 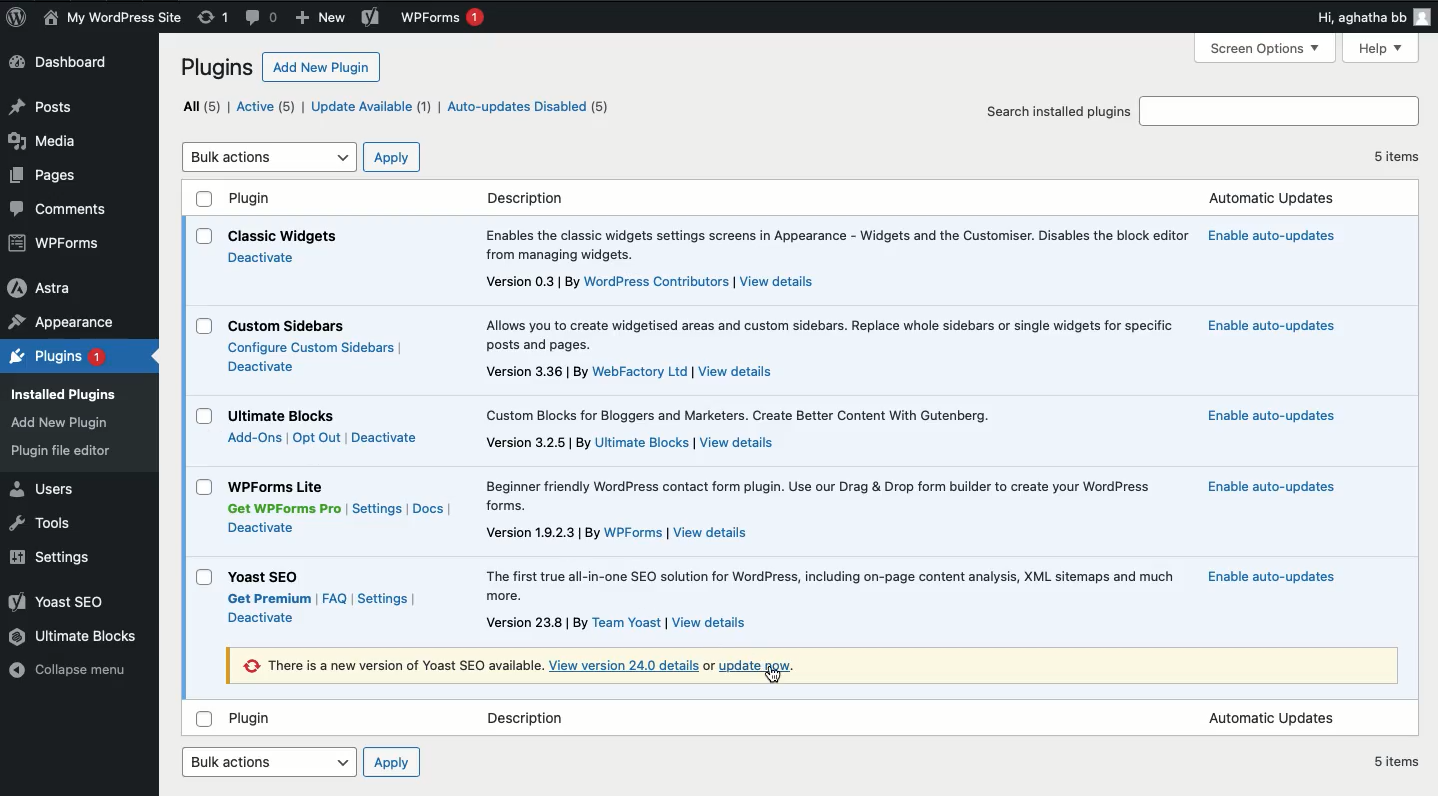 I want to click on Checkbox, so click(x=204, y=198).